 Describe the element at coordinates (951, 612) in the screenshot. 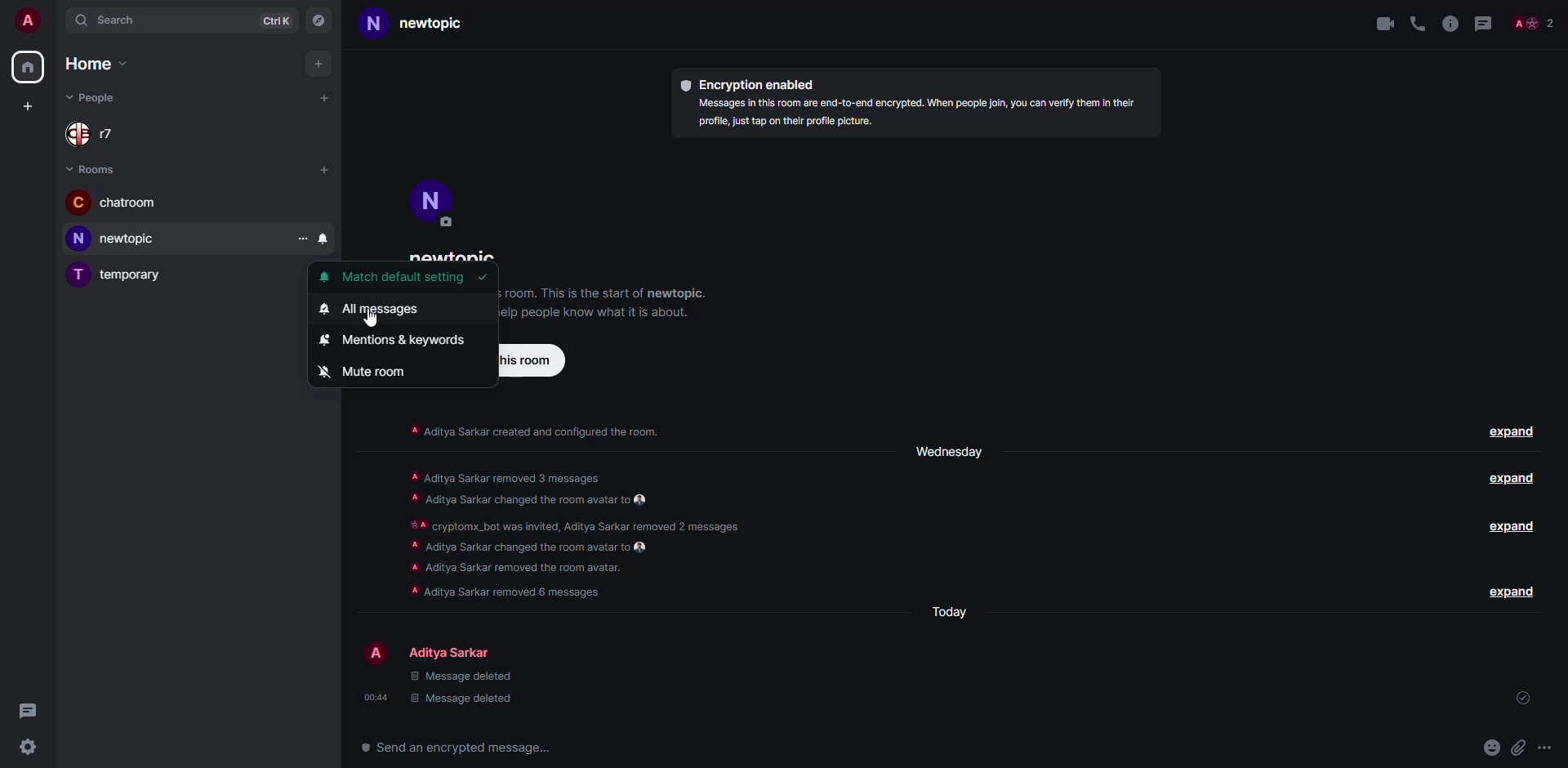

I see `day` at that location.